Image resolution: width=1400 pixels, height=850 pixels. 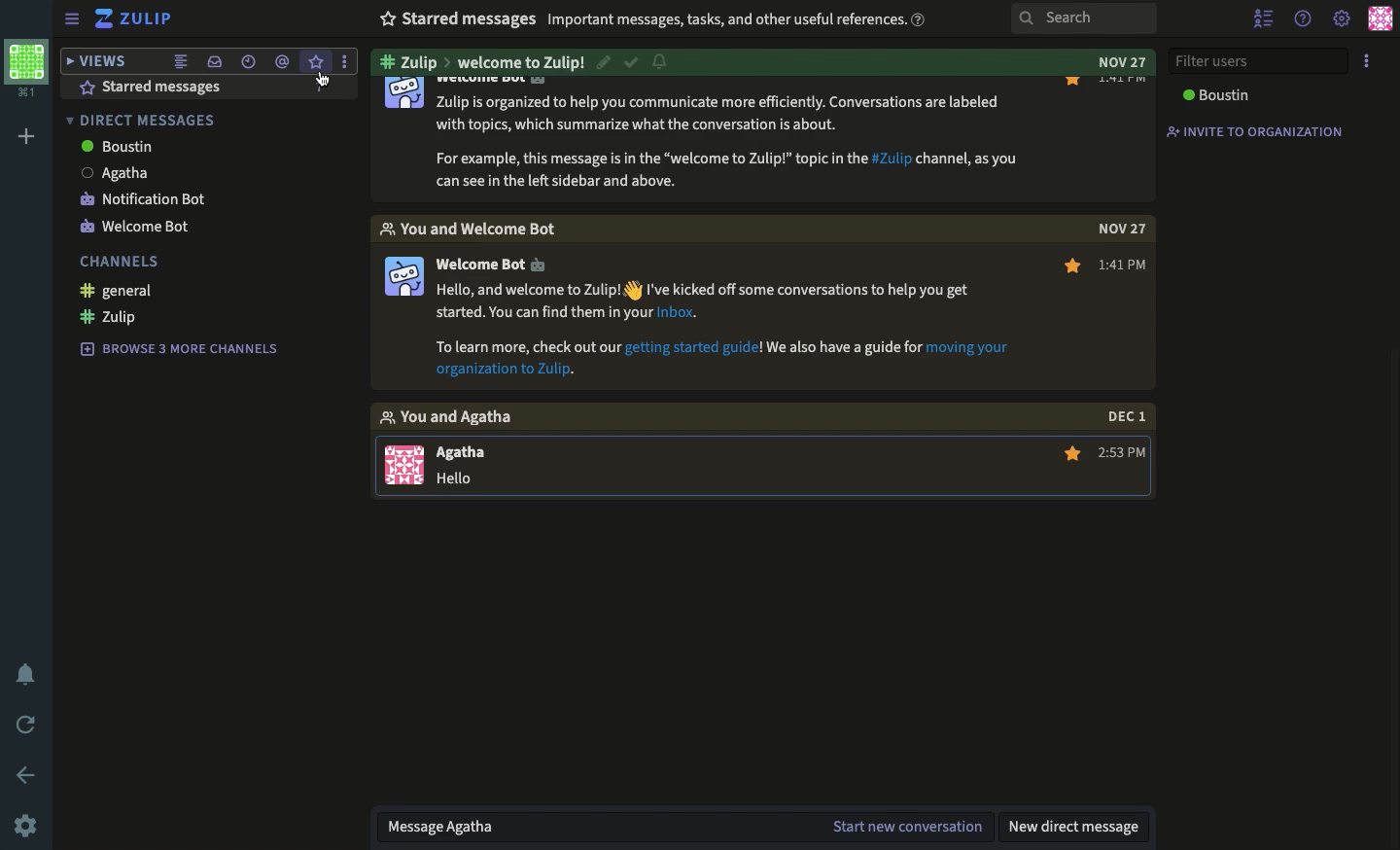 What do you see at coordinates (30, 773) in the screenshot?
I see `back` at bounding box center [30, 773].